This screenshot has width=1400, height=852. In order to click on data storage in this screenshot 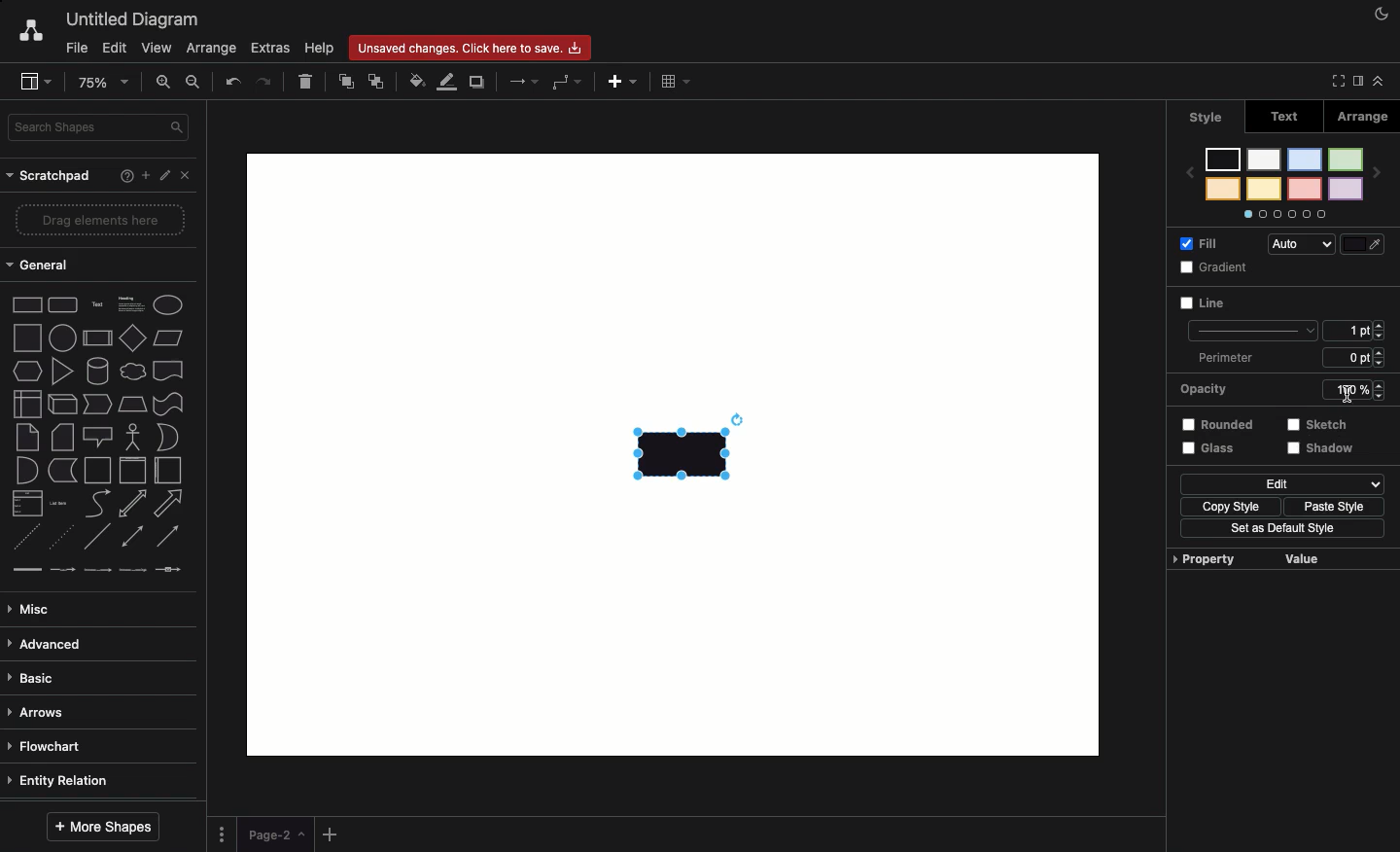, I will do `click(63, 471)`.